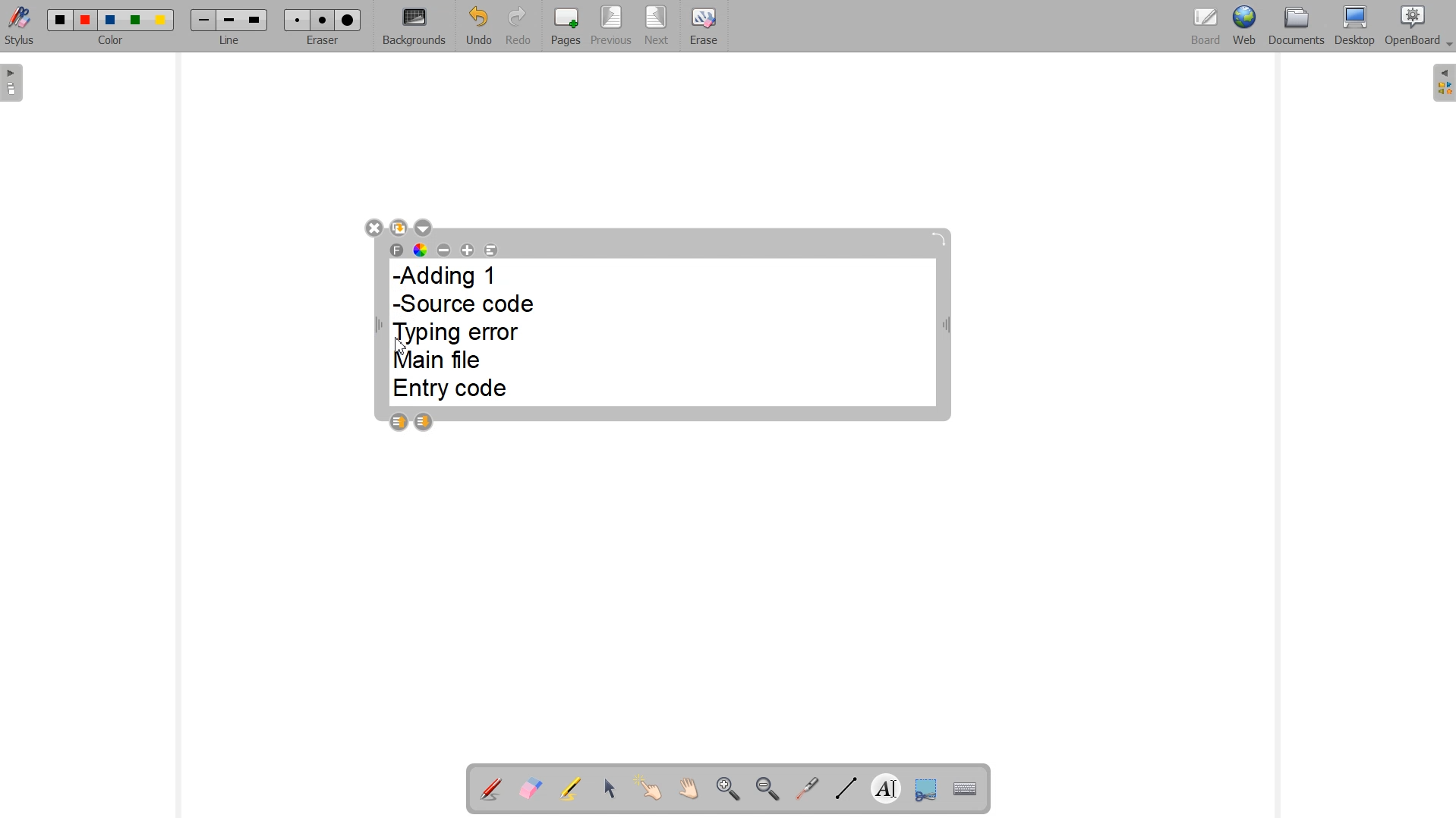  Describe the element at coordinates (400, 345) in the screenshot. I see `Cursor` at that location.